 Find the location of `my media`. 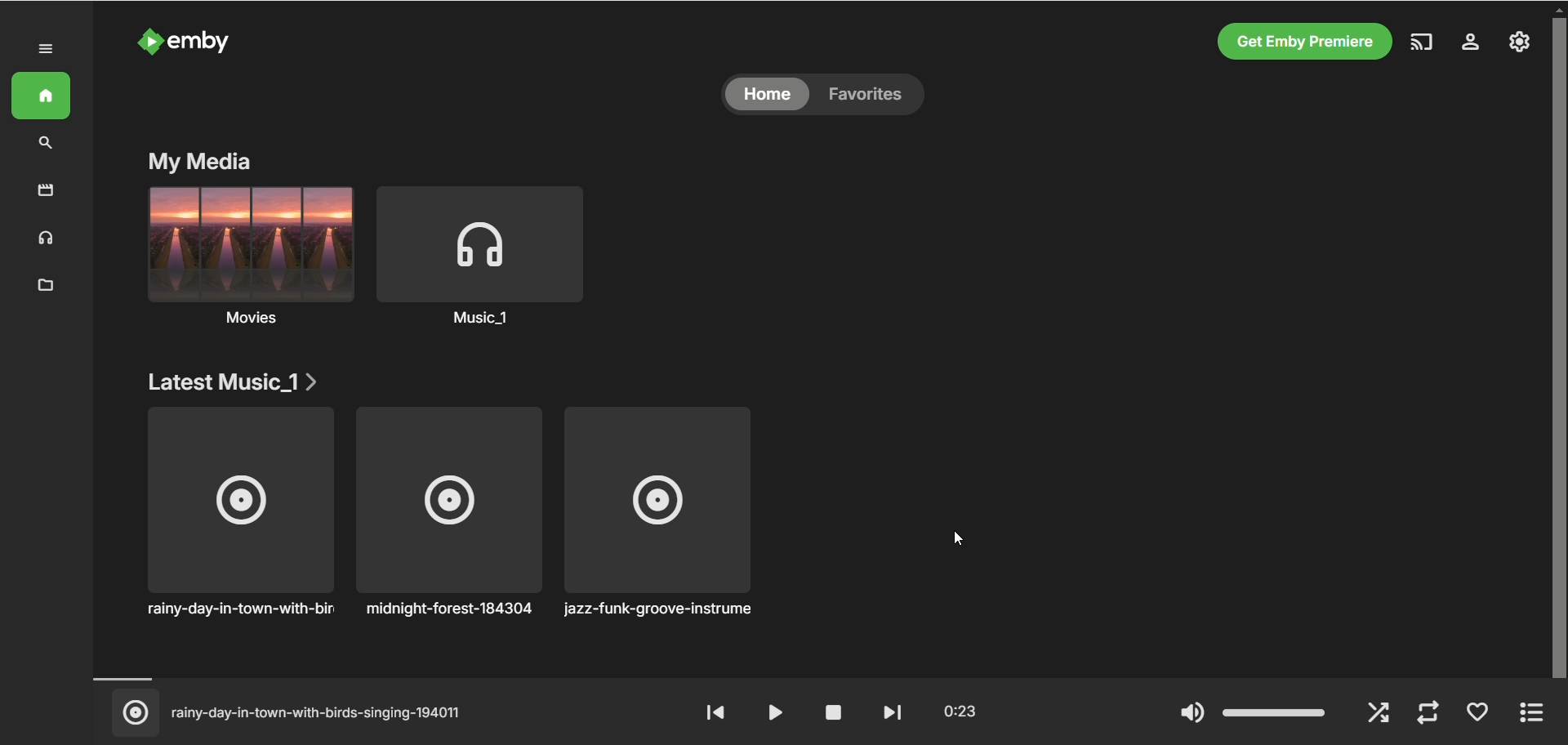

my media is located at coordinates (194, 163).